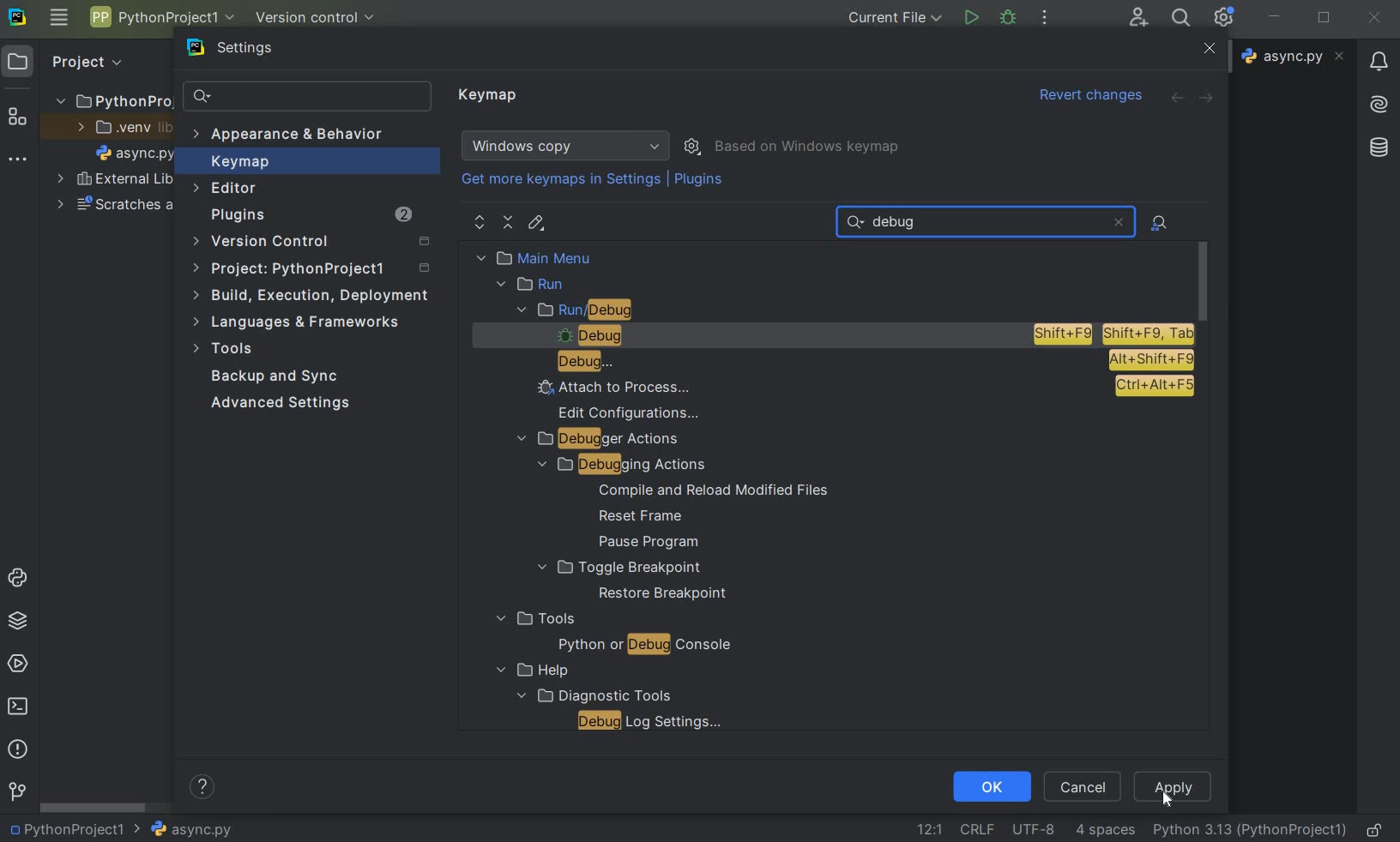 This screenshot has width=1400, height=842. Describe the element at coordinates (655, 721) in the screenshot. I see `debug log settings` at that location.